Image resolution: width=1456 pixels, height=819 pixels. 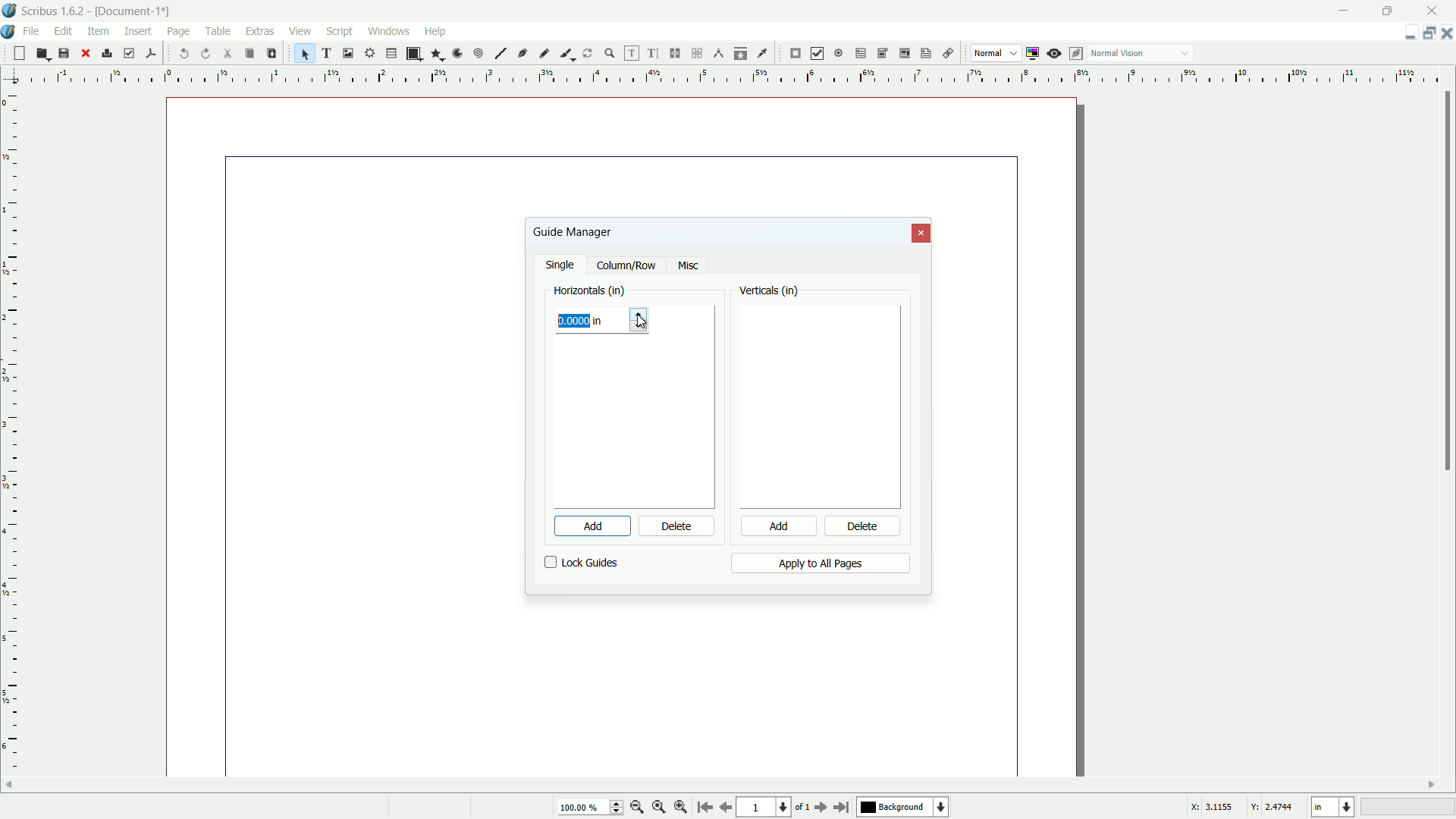 What do you see at coordinates (1014, 54) in the screenshot?
I see `dropdown` at bounding box center [1014, 54].